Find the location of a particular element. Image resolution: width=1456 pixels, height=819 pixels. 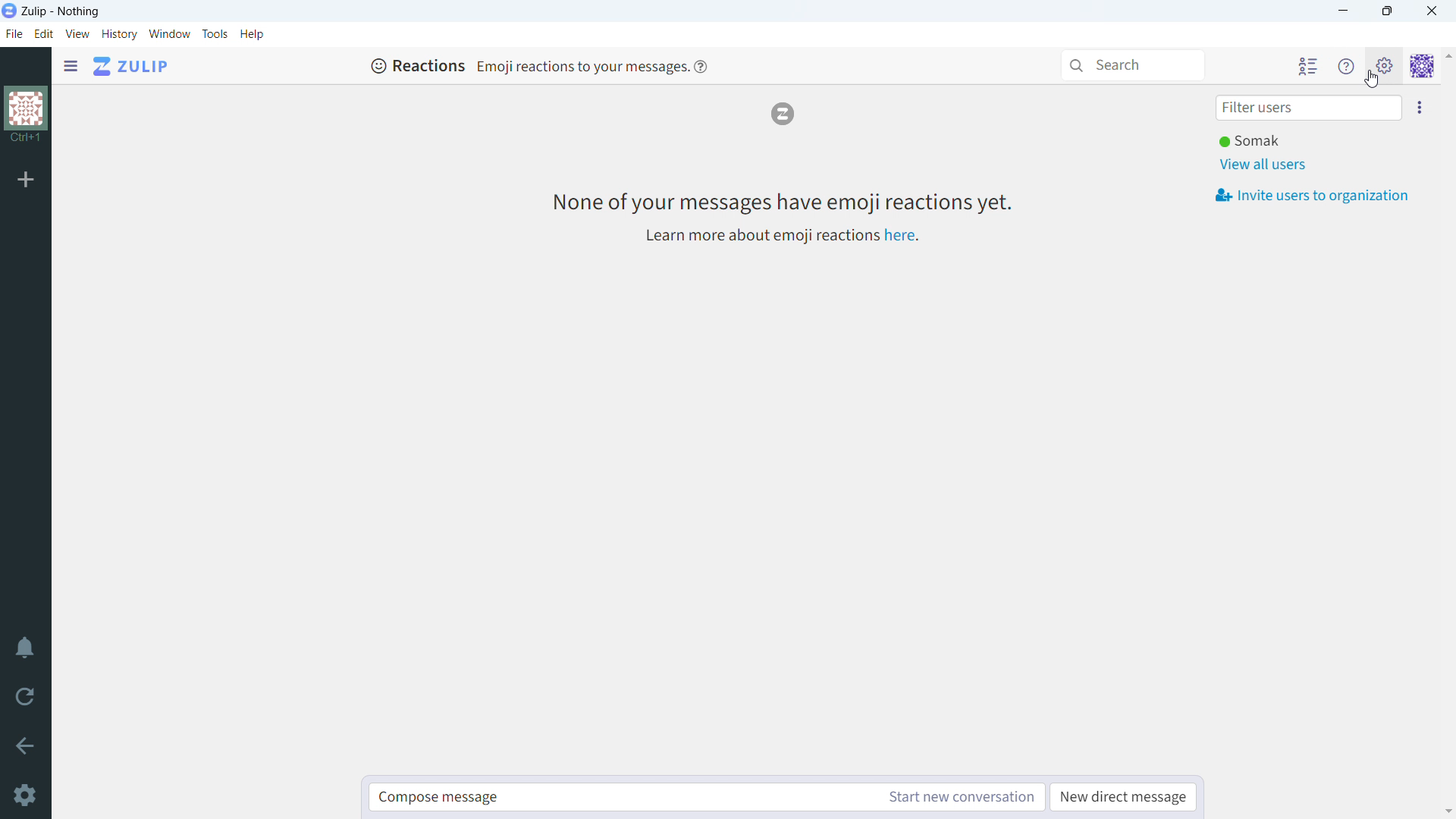

edit is located at coordinates (44, 35).